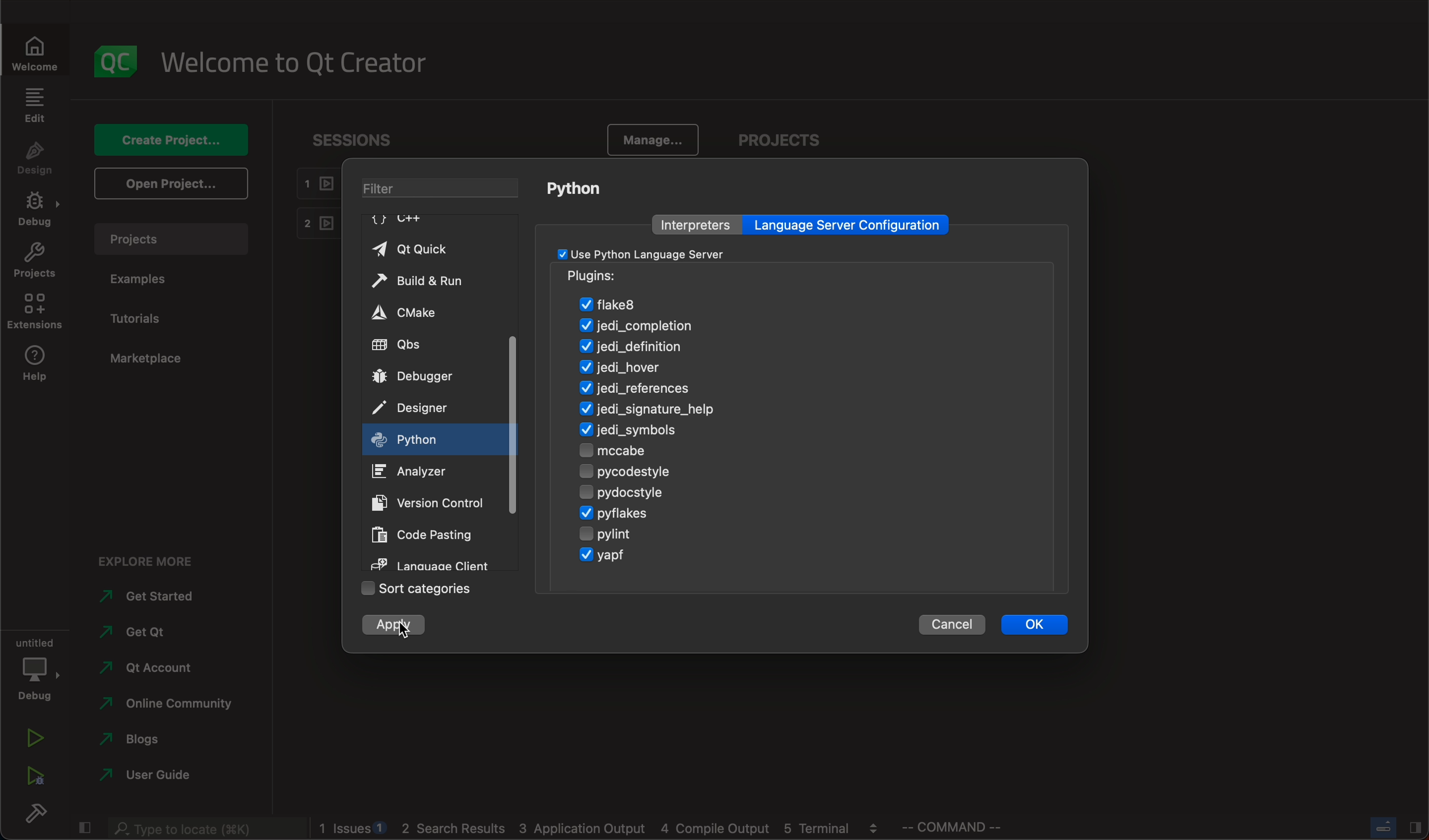  I want to click on cursor, so click(400, 630).